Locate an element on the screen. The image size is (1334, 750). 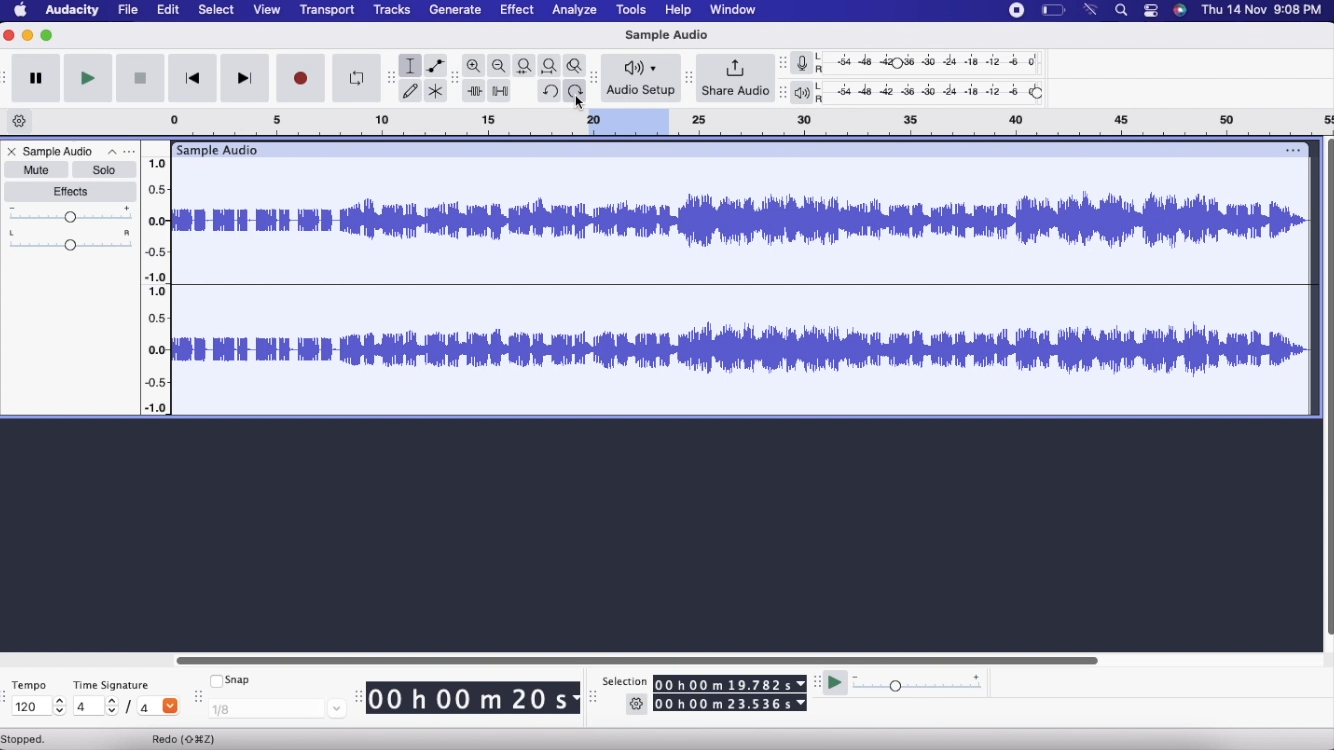
Trim outside selection is located at coordinates (474, 90).